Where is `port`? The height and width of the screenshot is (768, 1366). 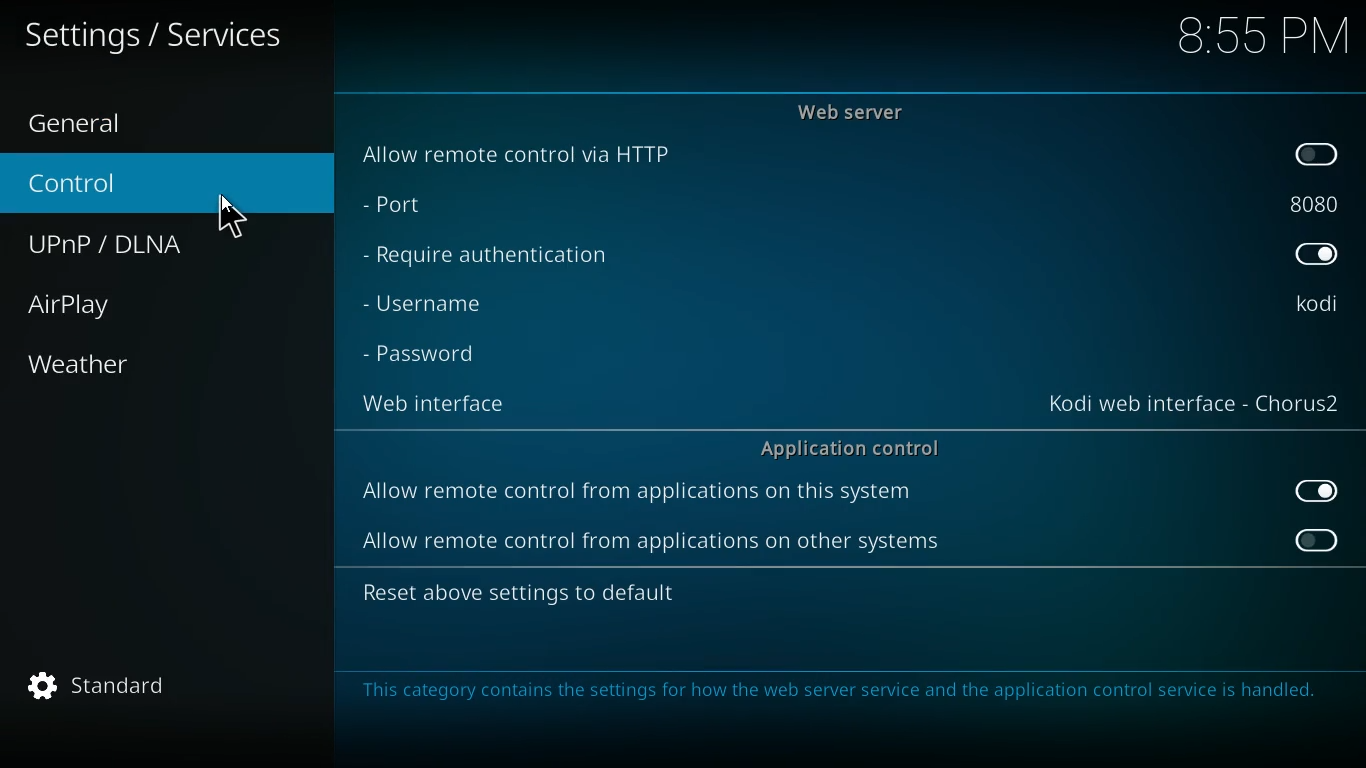
port is located at coordinates (424, 207).